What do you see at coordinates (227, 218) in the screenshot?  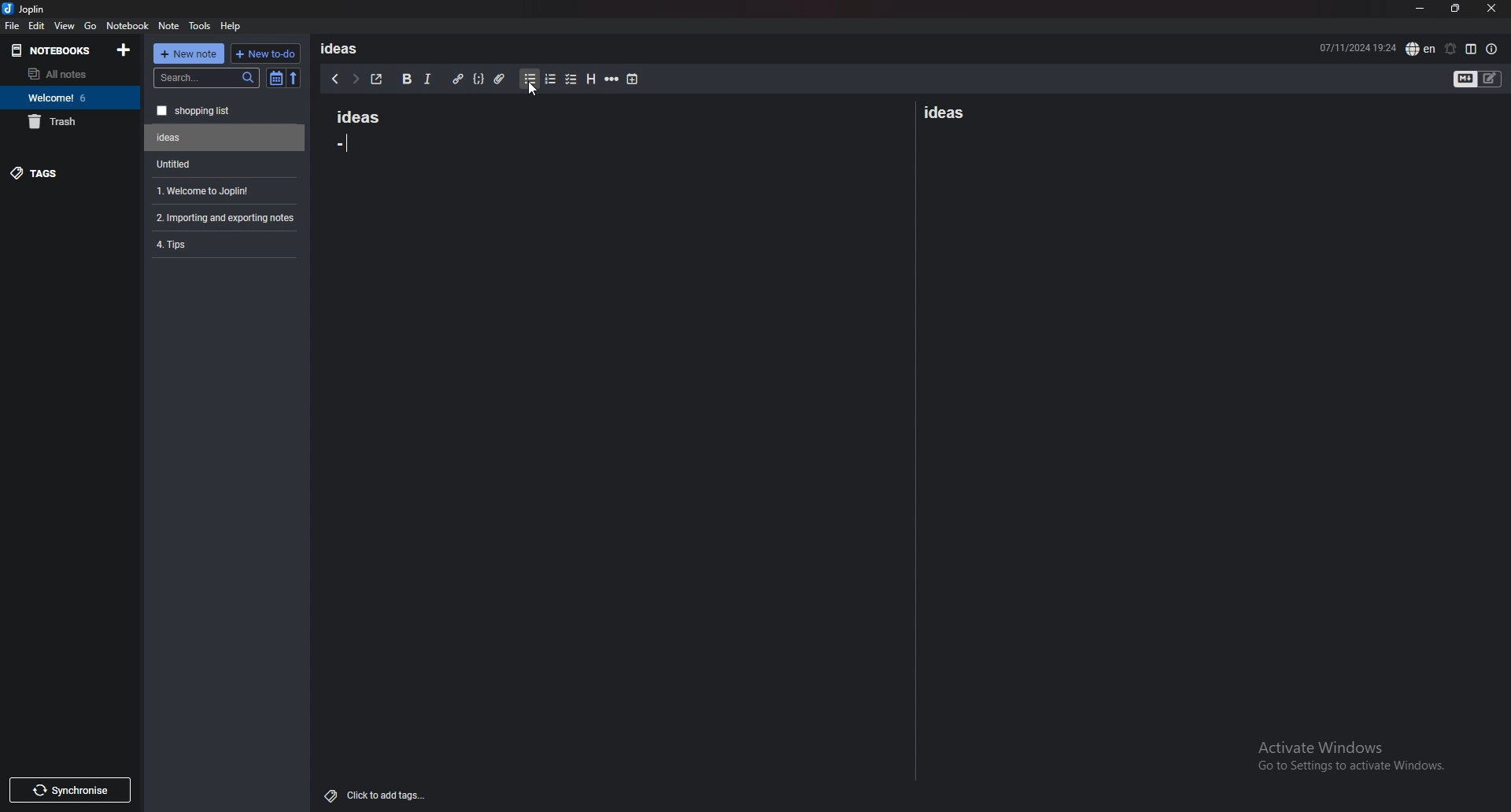 I see `Importing and exporting notes` at bounding box center [227, 218].